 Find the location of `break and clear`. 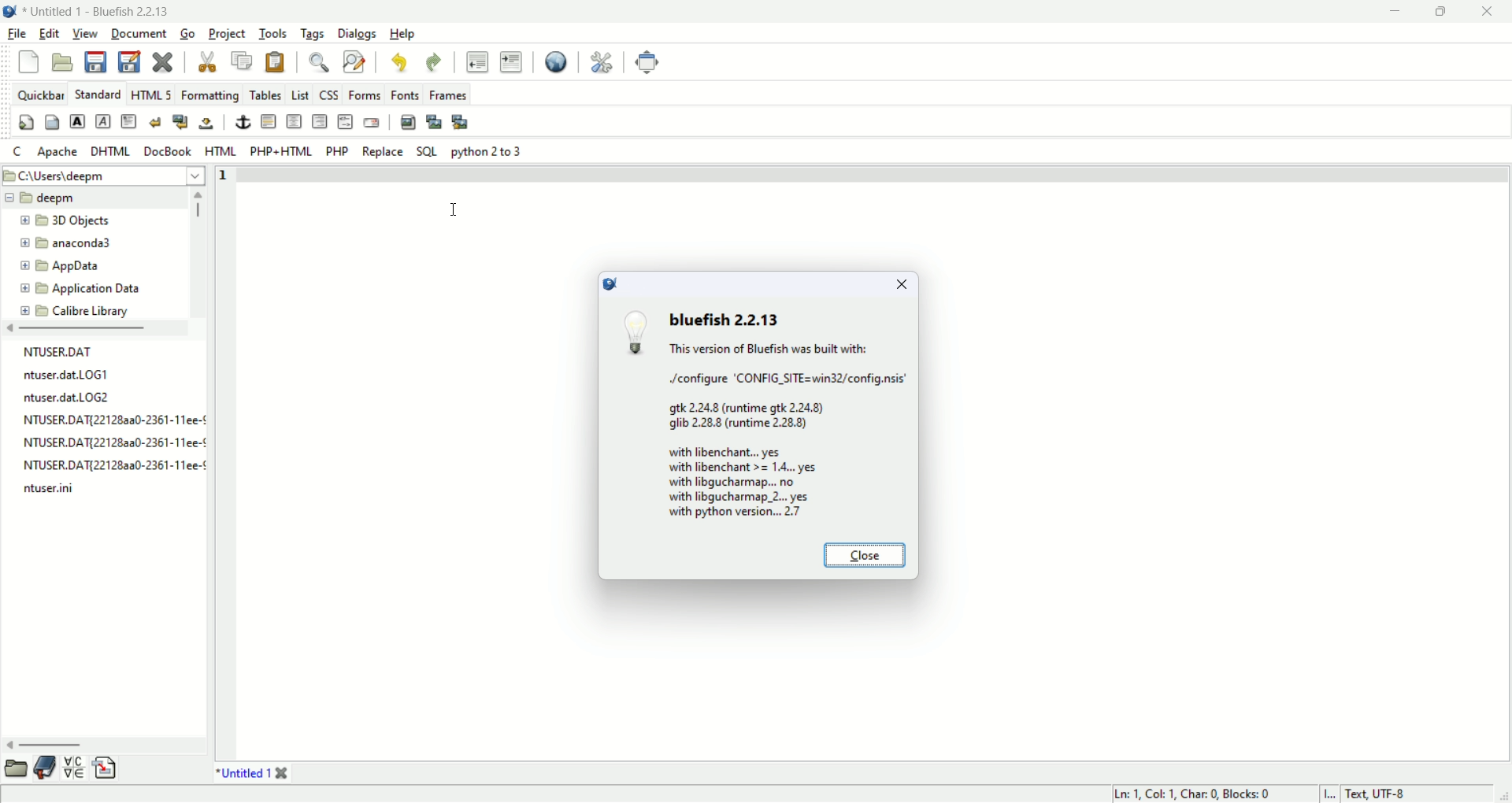

break and clear is located at coordinates (181, 121).